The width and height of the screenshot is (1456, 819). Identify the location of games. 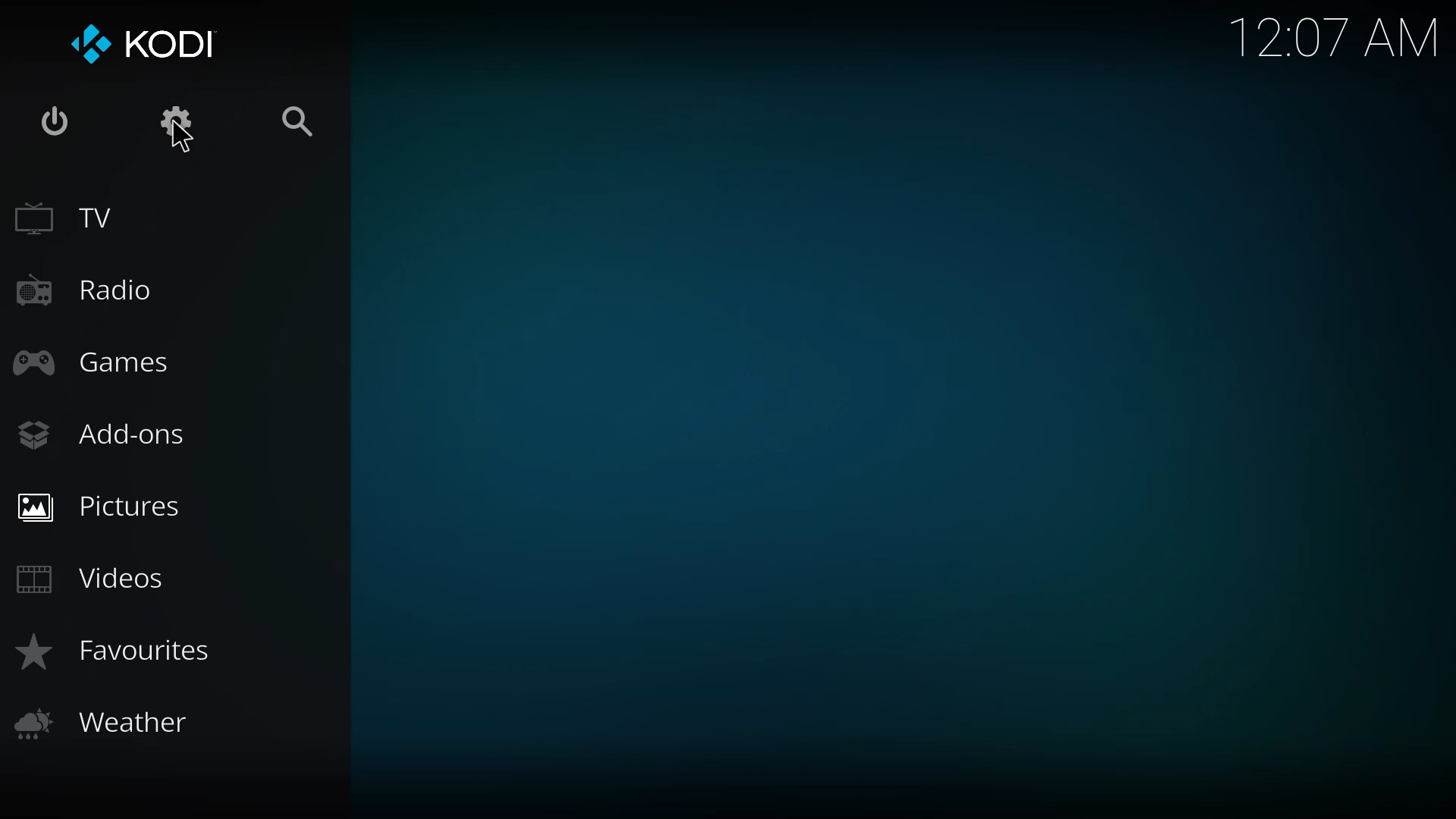
(94, 363).